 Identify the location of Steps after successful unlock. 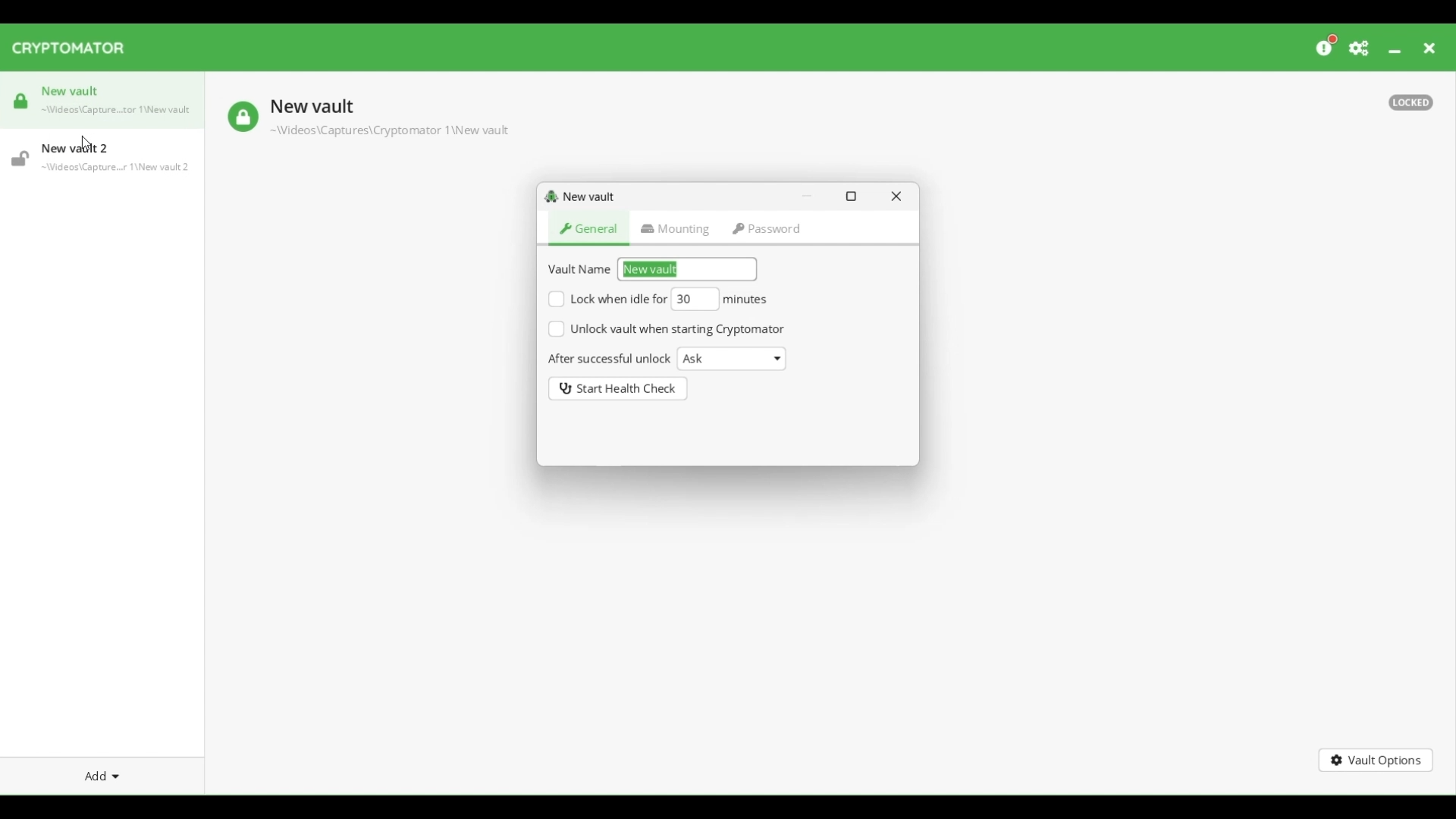
(731, 359).